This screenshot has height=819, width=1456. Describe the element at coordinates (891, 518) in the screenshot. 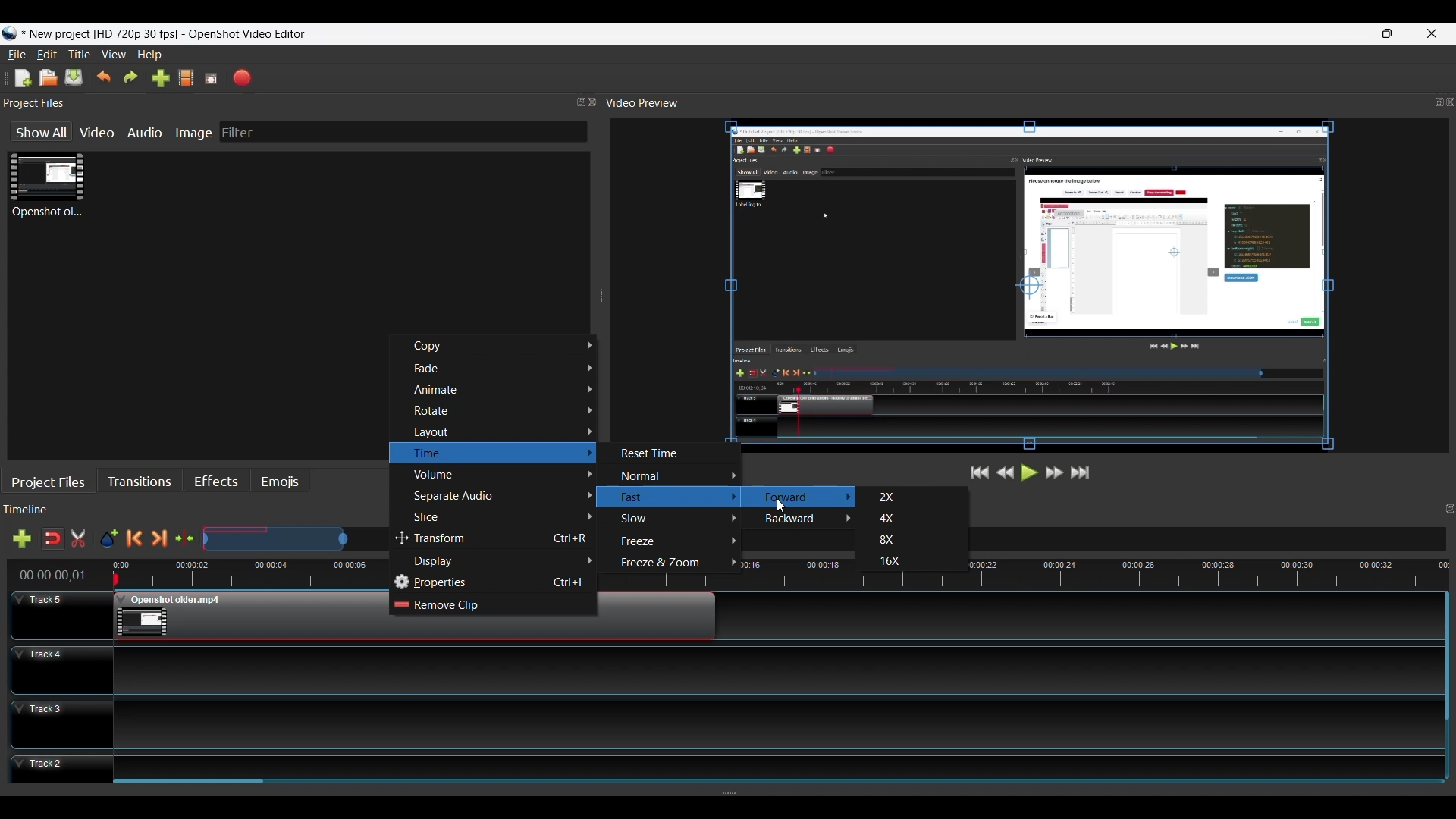

I see `4X` at that location.